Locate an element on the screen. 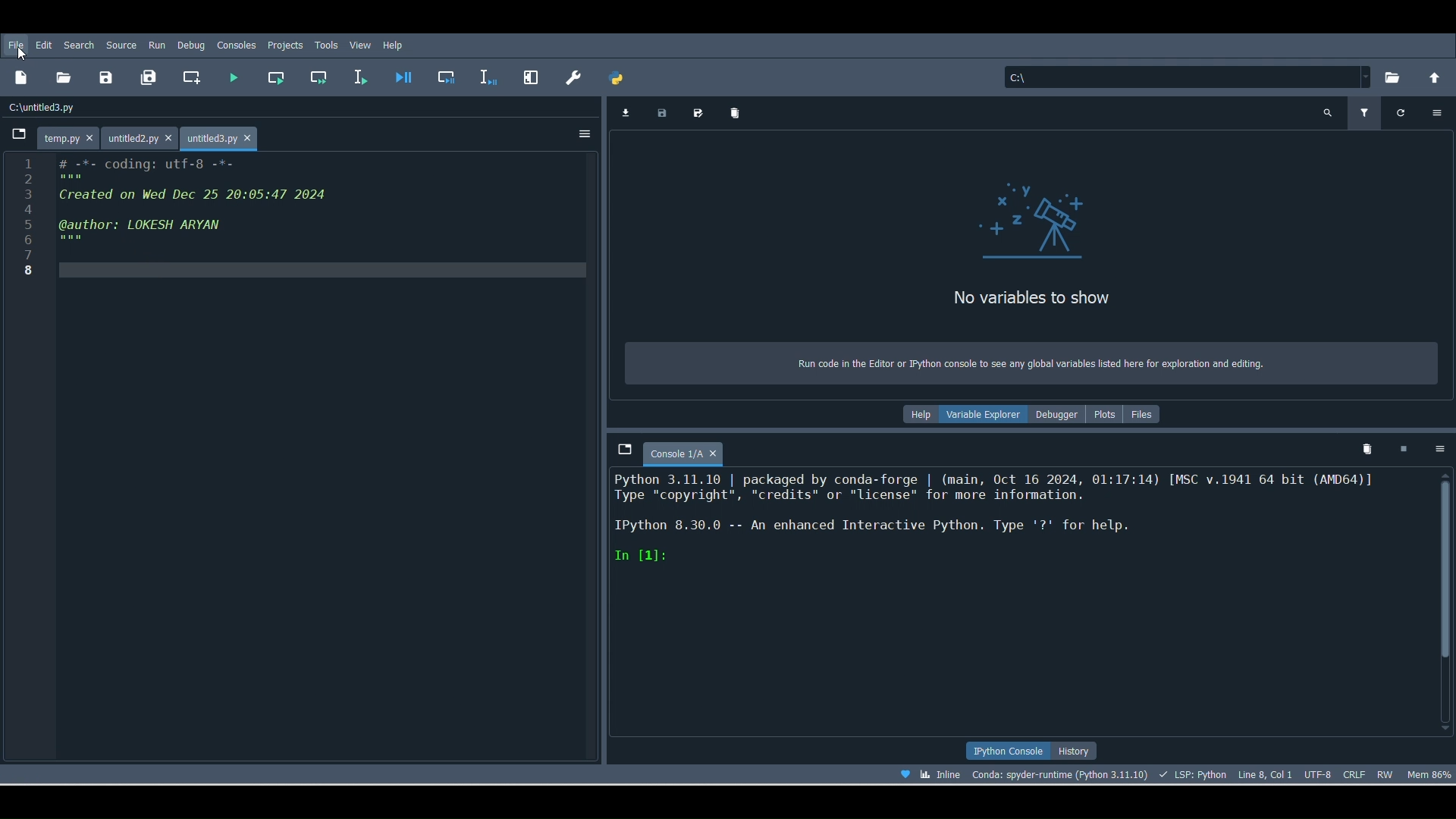  Run code in the Editor or Python console to see any global variables listed here for exploration and editing. is located at coordinates (1028, 361).